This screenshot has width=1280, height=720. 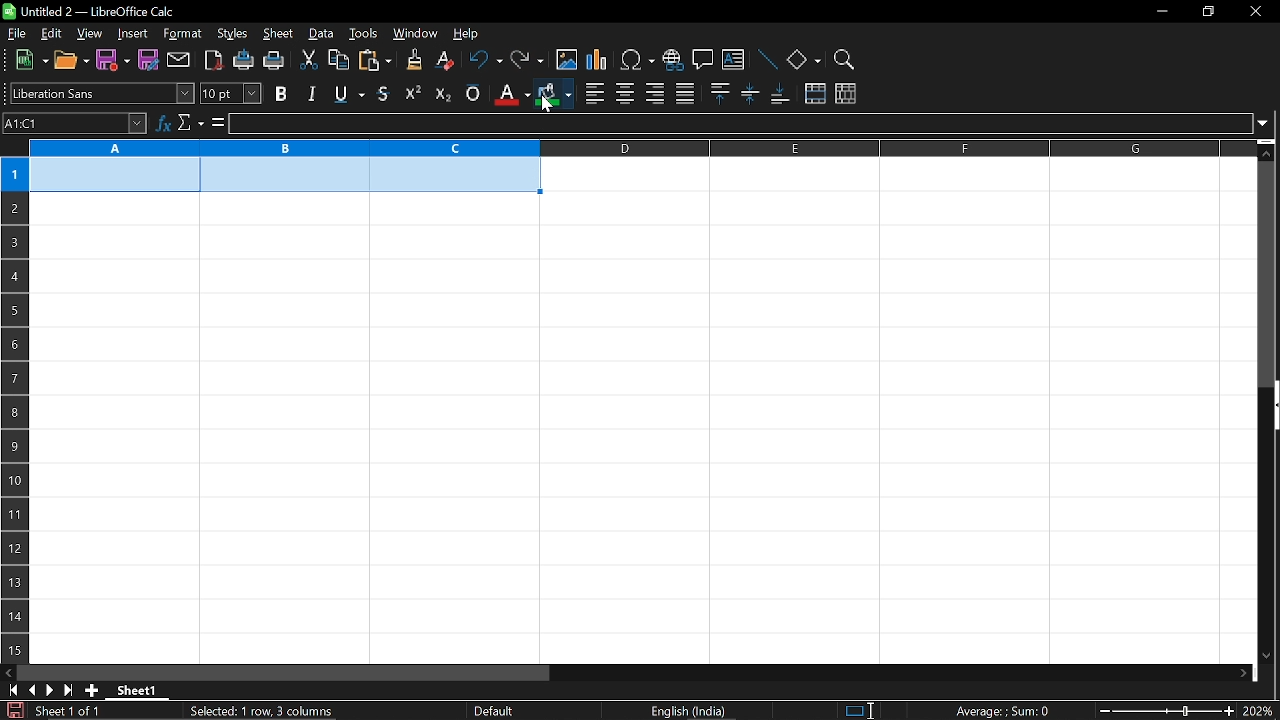 What do you see at coordinates (75, 124) in the screenshot?
I see `Name box` at bounding box center [75, 124].